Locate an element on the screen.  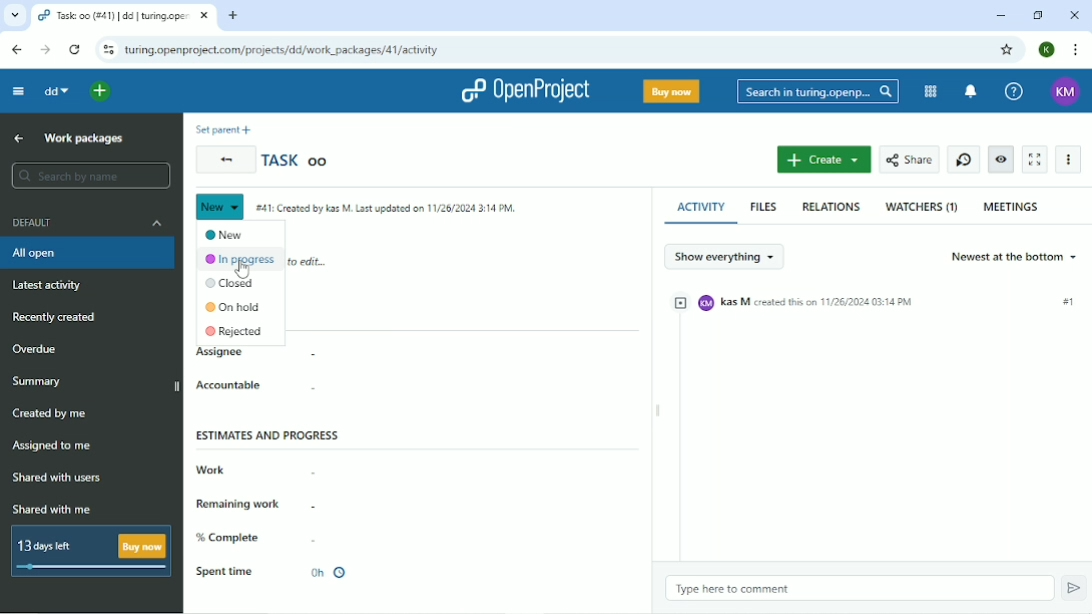
Reload this page is located at coordinates (75, 50).